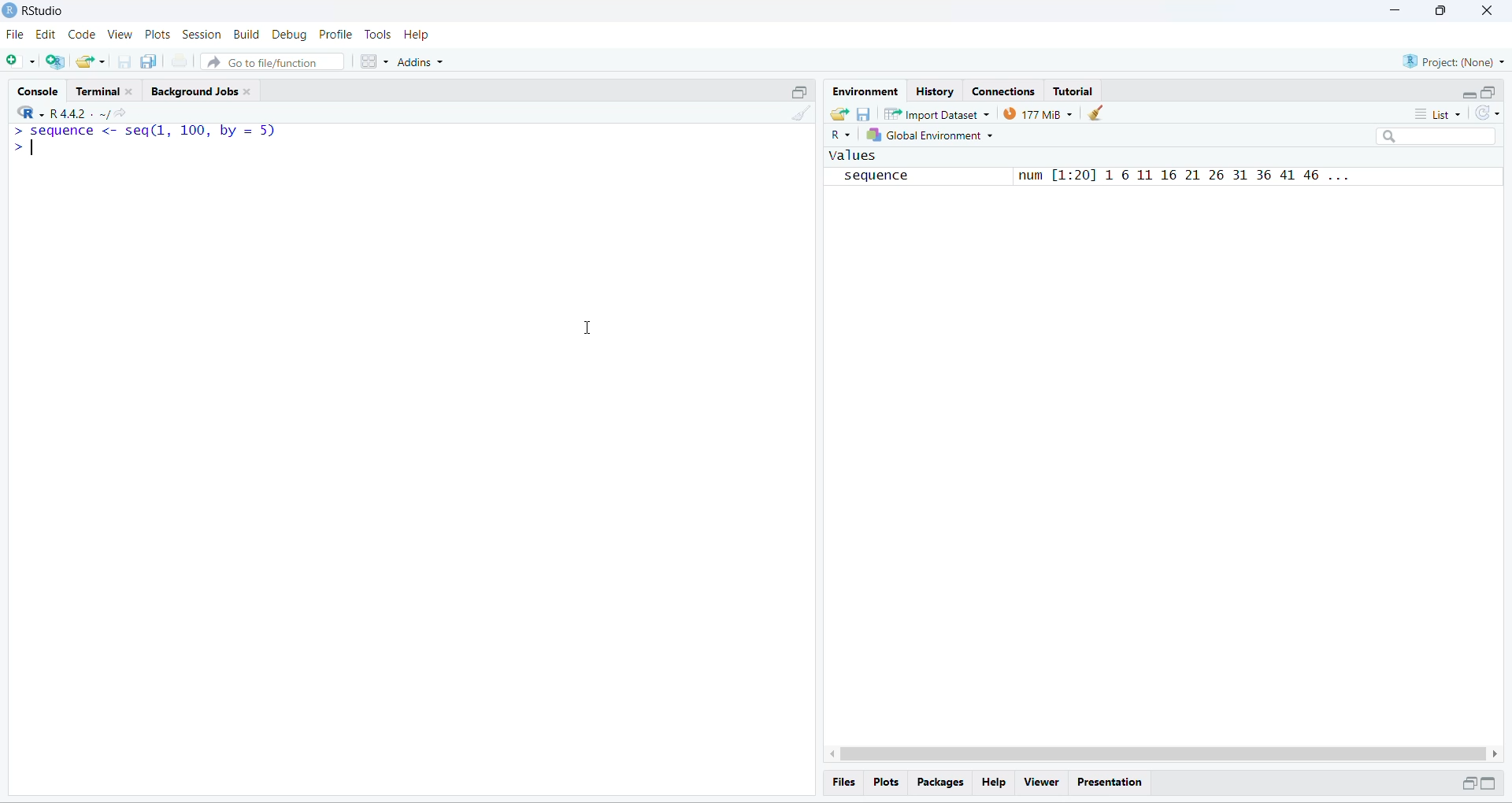 This screenshot has height=803, width=1512. Describe the element at coordinates (45, 10) in the screenshot. I see `RStudio` at that location.